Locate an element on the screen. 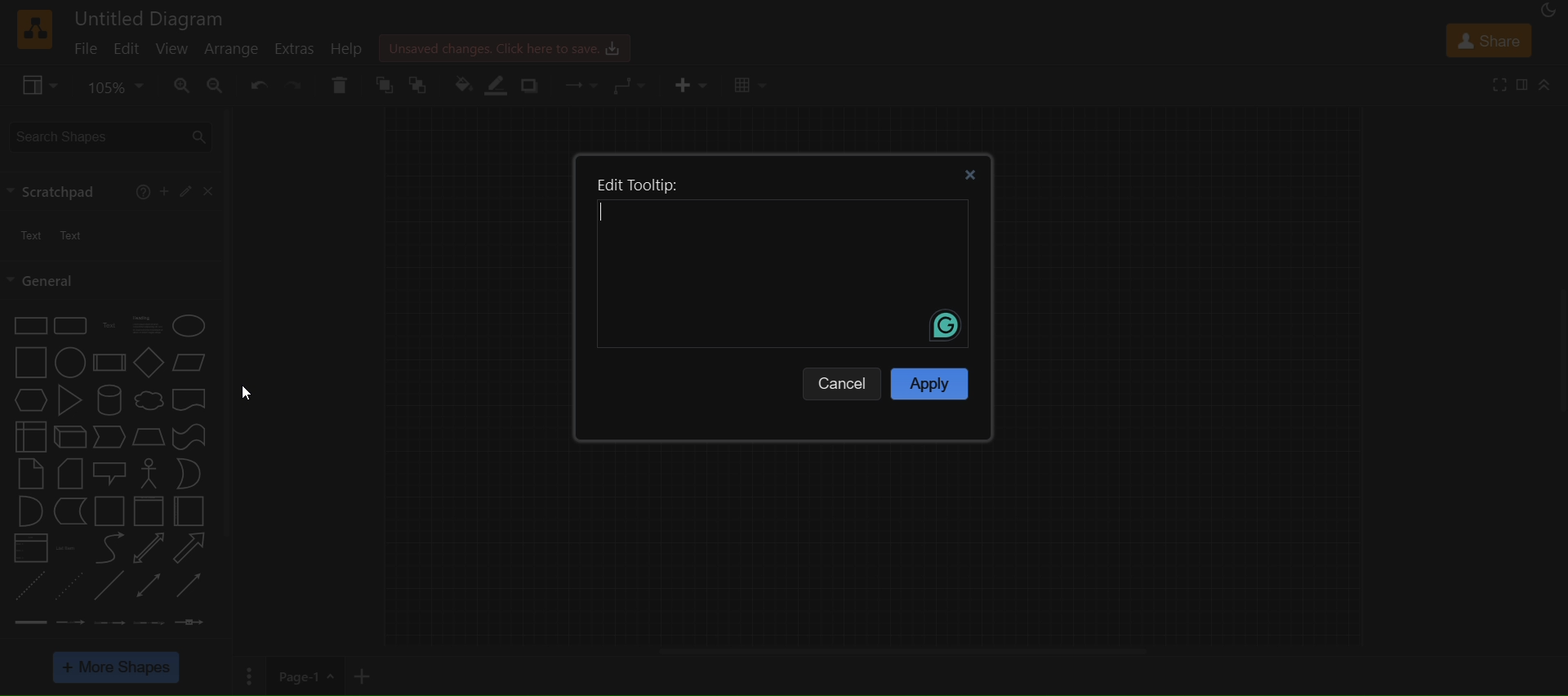  line color is located at coordinates (498, 85).